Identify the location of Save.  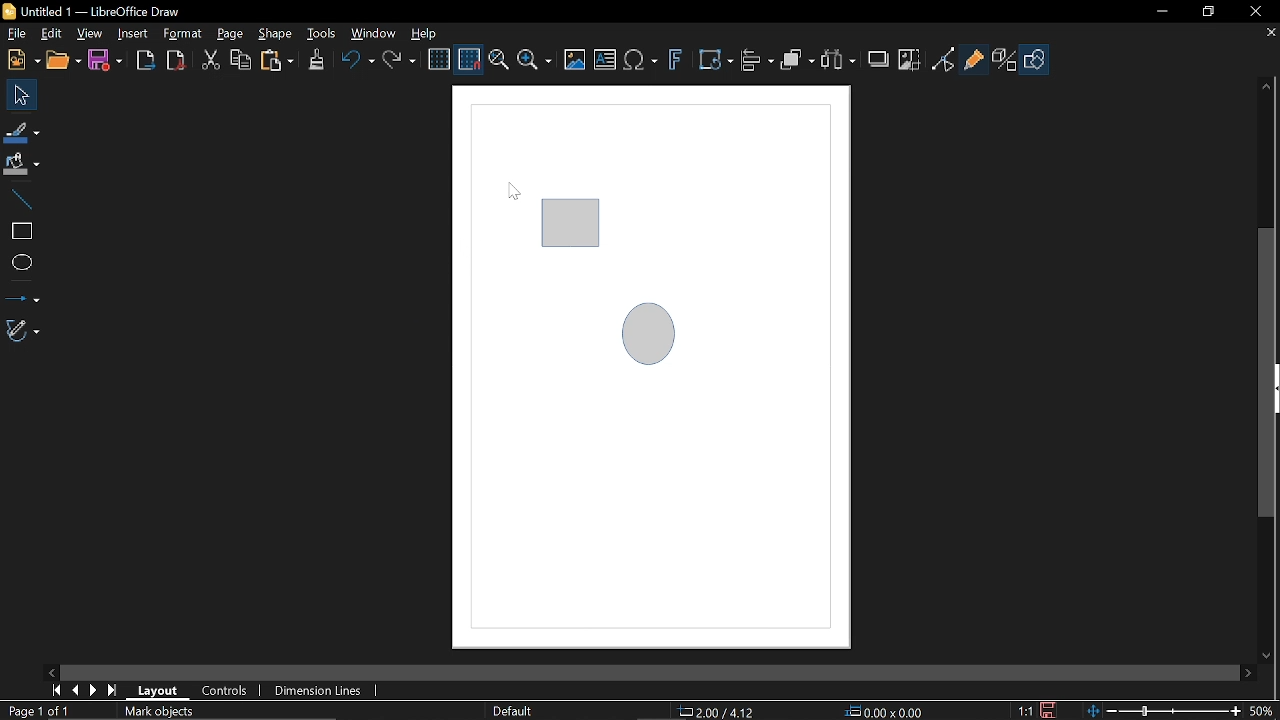
(1049, 710).